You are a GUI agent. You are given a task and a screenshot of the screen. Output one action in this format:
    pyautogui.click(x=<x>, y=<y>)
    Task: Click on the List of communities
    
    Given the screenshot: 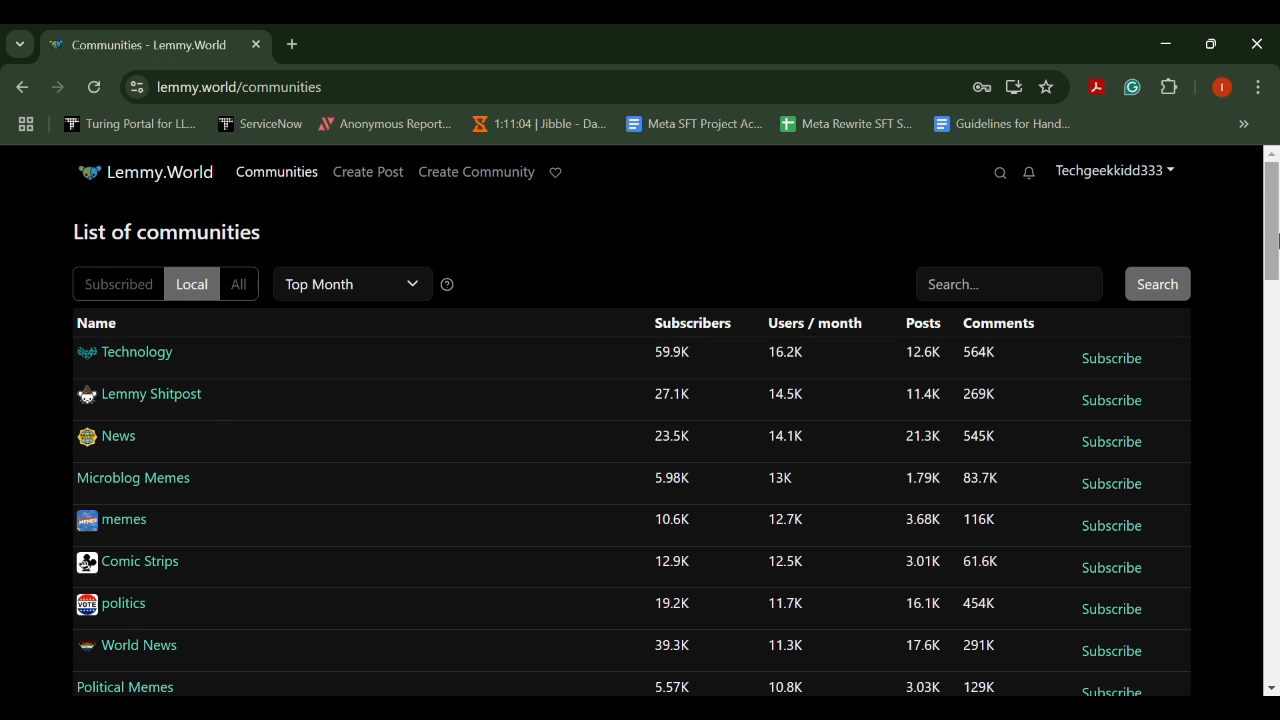 What is the action you would take?
    pyautogui.click(x=169, y=232)
    